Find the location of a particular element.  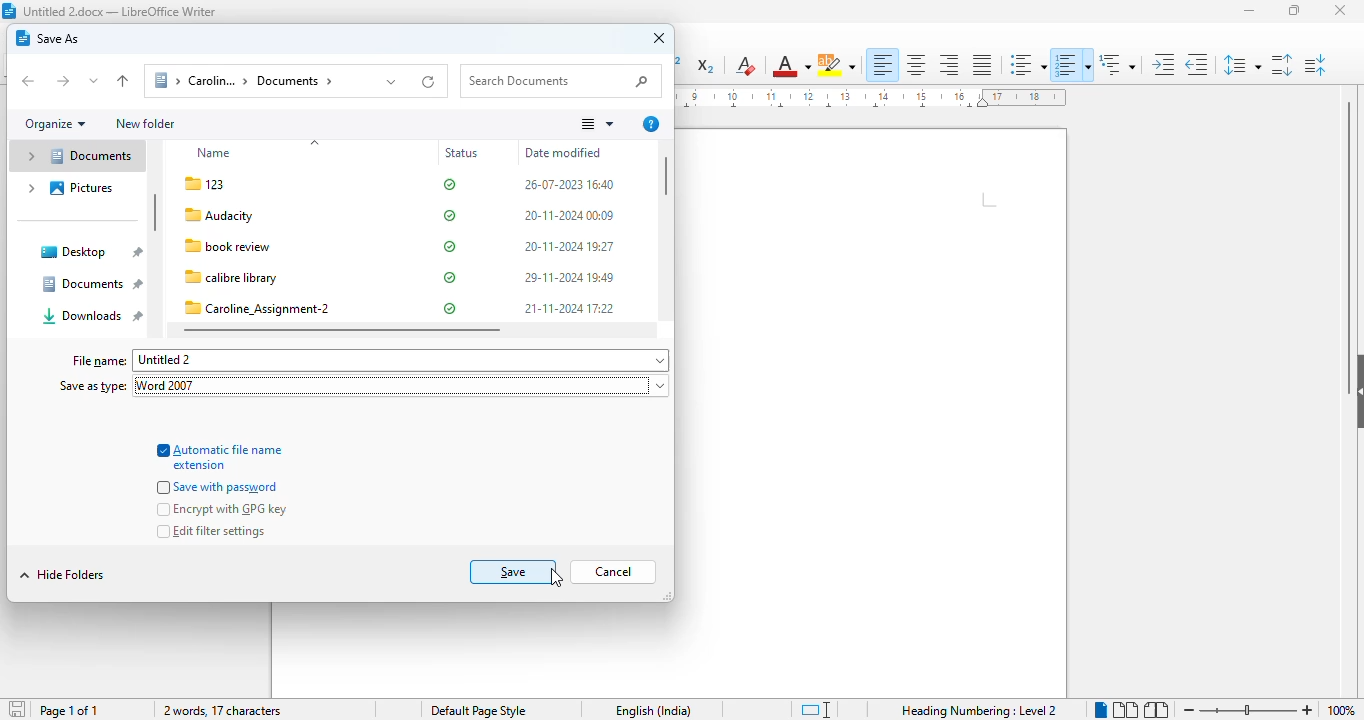

edit filter settings is located at coordinates (211, 531).